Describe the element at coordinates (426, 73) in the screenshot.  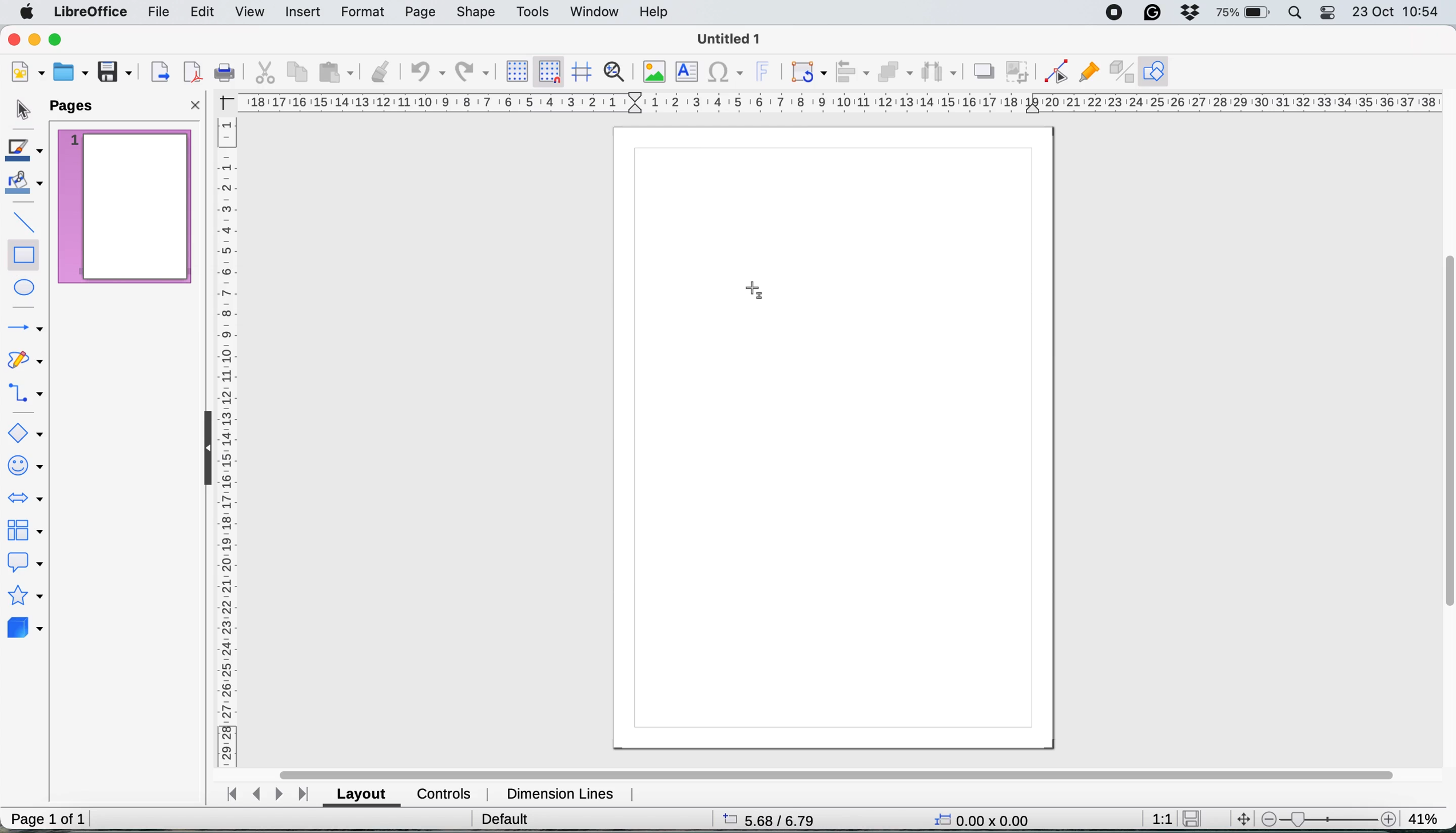
I see `undo` at that location.